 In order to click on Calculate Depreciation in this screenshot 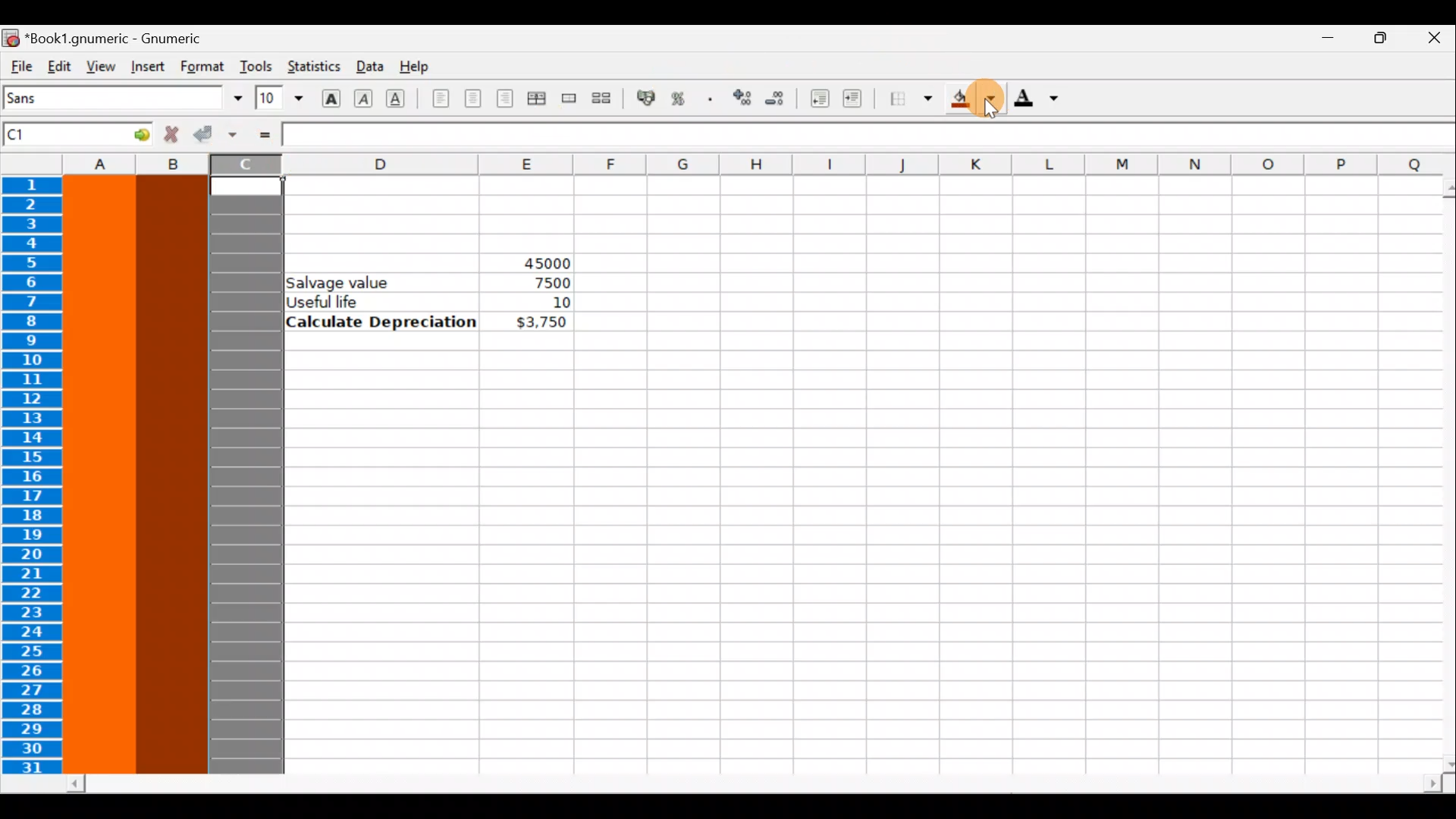, I will do `click(381, 321)`.